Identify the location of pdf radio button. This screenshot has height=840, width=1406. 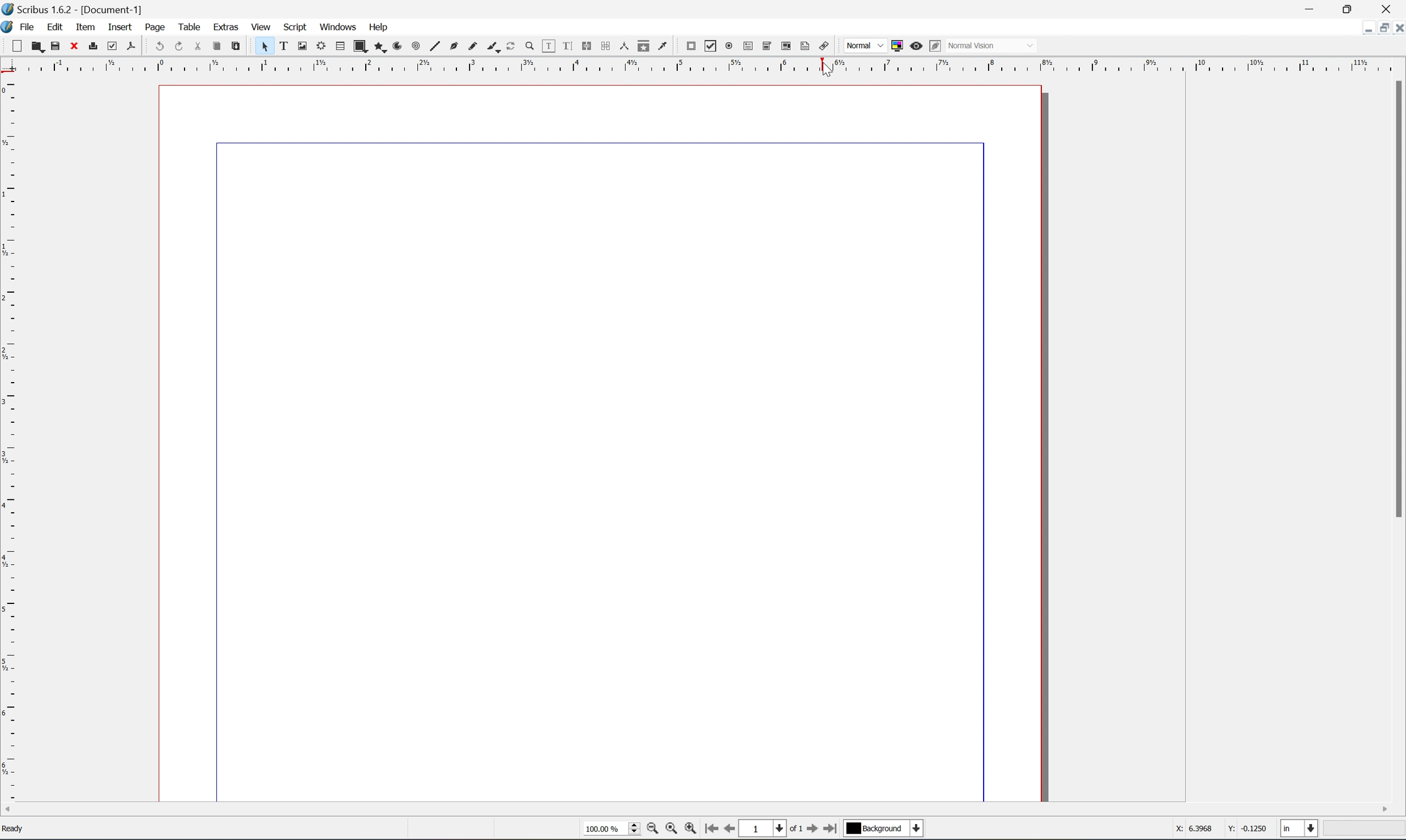
(730, 46).